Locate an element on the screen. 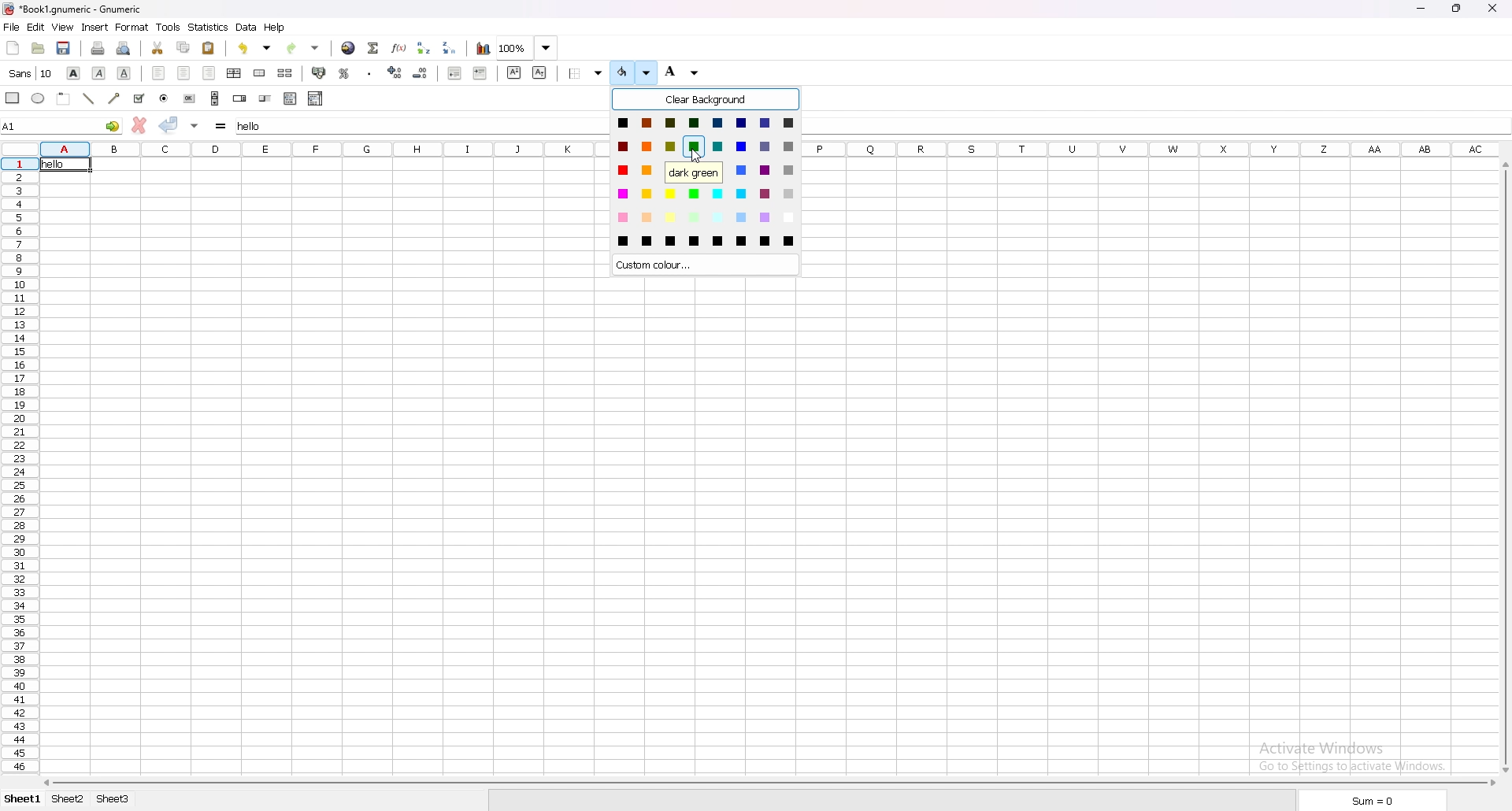 The height and width of the screenshot is (811, 1512). help is located at coordinates (276, 28).